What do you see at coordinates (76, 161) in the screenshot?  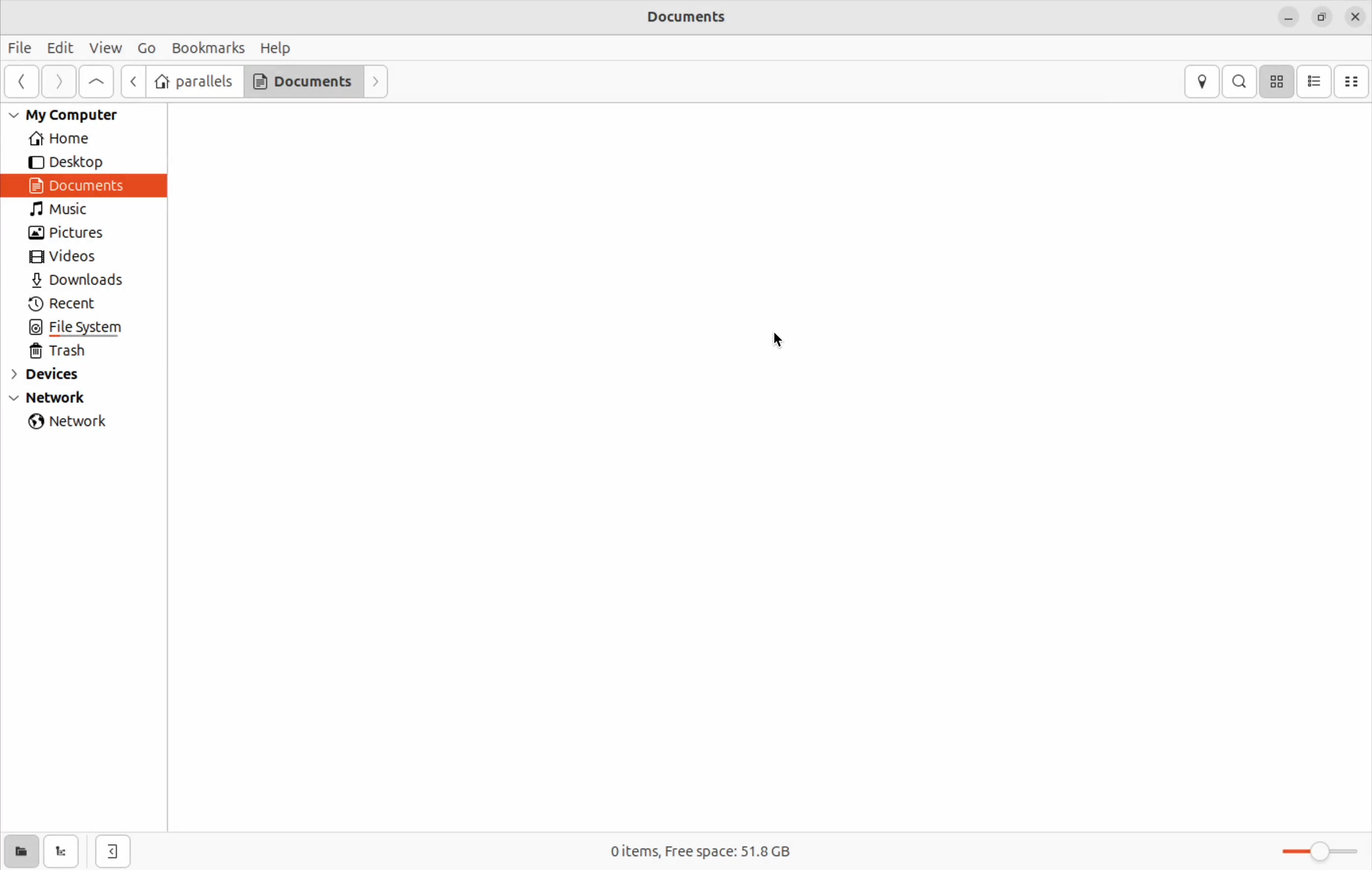 I see `Desktop` at bounding box center [76, 161].